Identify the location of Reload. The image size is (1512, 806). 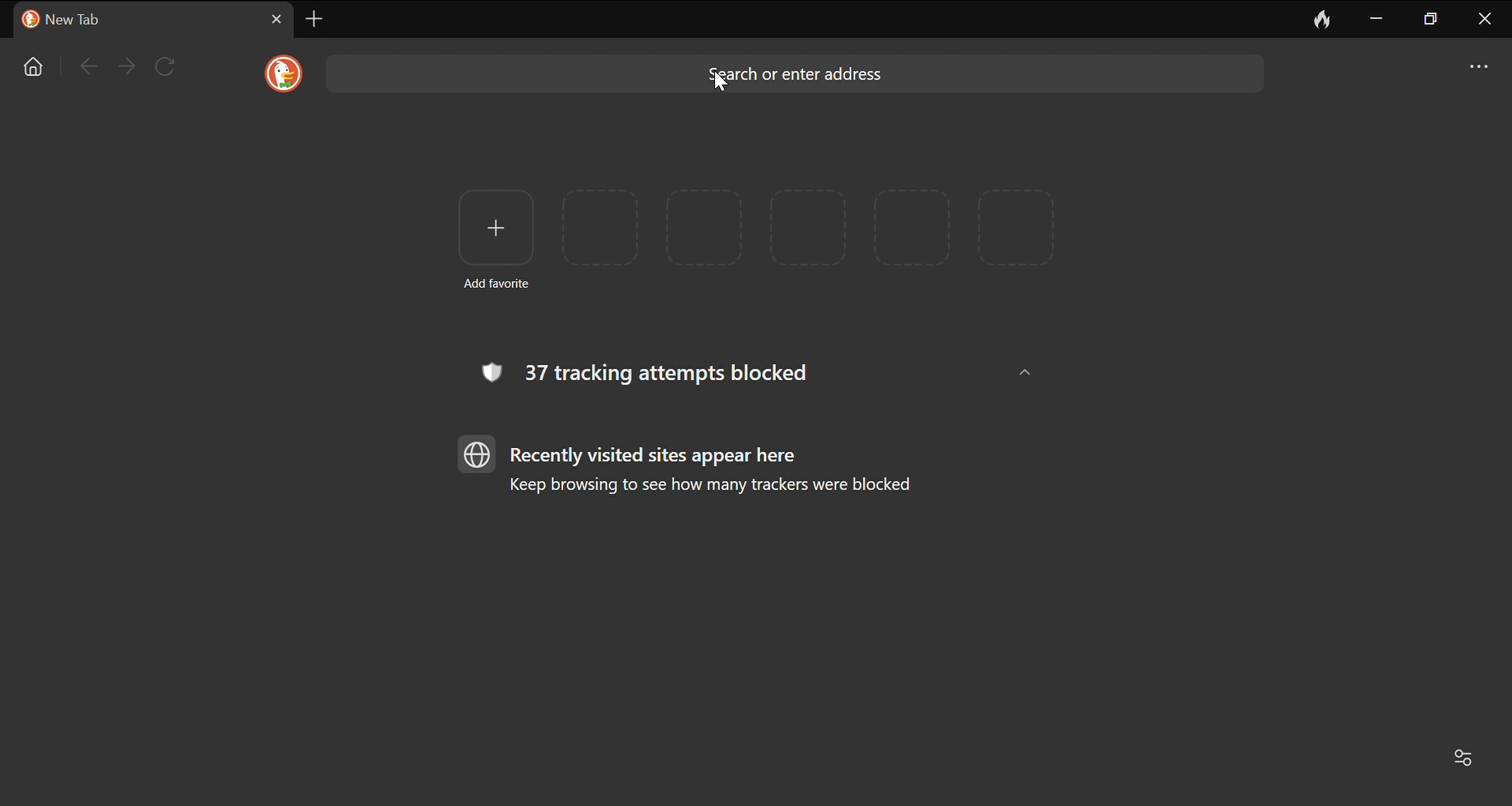
(166, 65).